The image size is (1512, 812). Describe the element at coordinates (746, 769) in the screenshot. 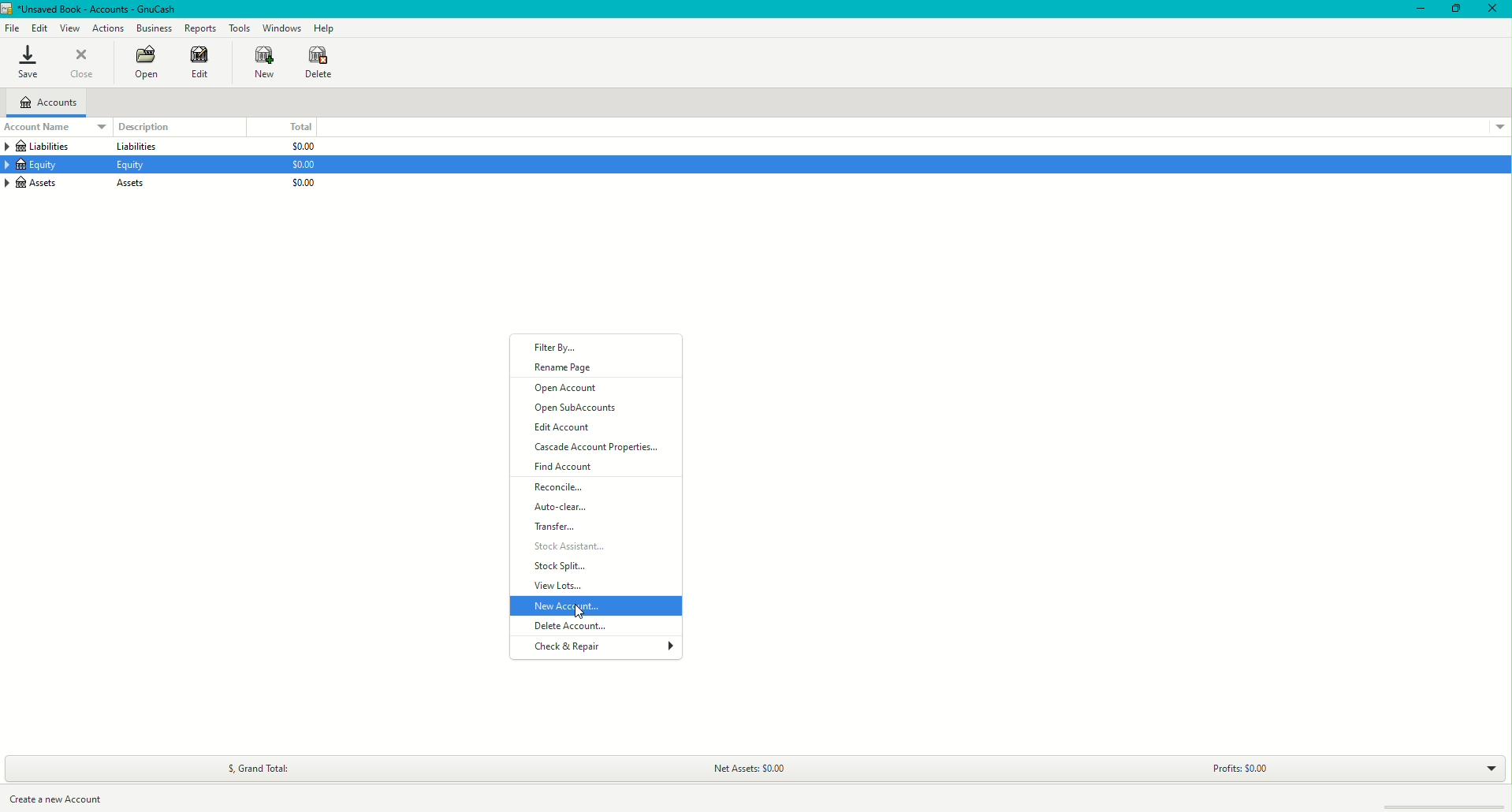

I see `Net Assets` at that location.